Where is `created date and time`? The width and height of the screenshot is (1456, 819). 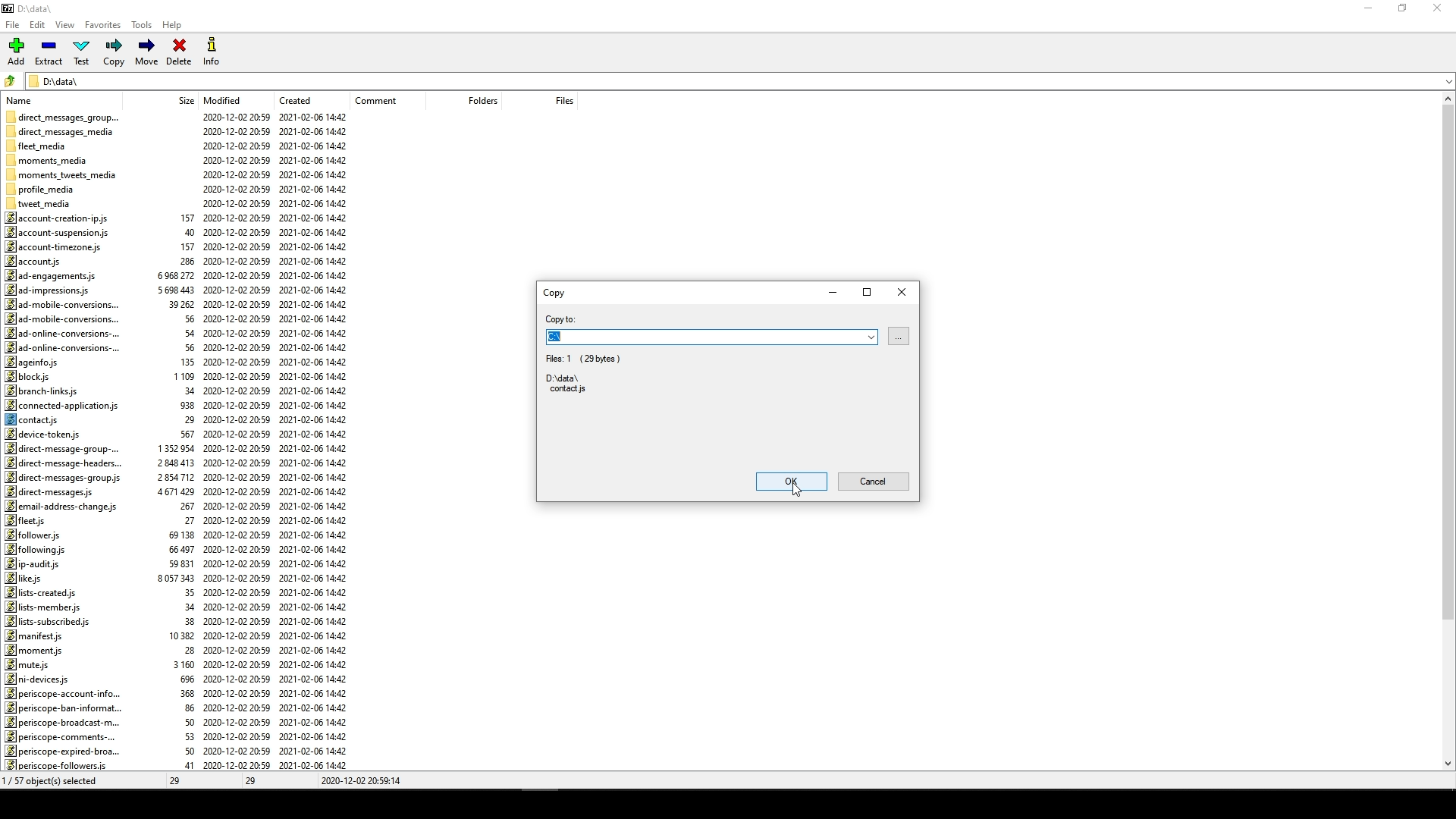
created date and time is located at coordinates (316, 442).